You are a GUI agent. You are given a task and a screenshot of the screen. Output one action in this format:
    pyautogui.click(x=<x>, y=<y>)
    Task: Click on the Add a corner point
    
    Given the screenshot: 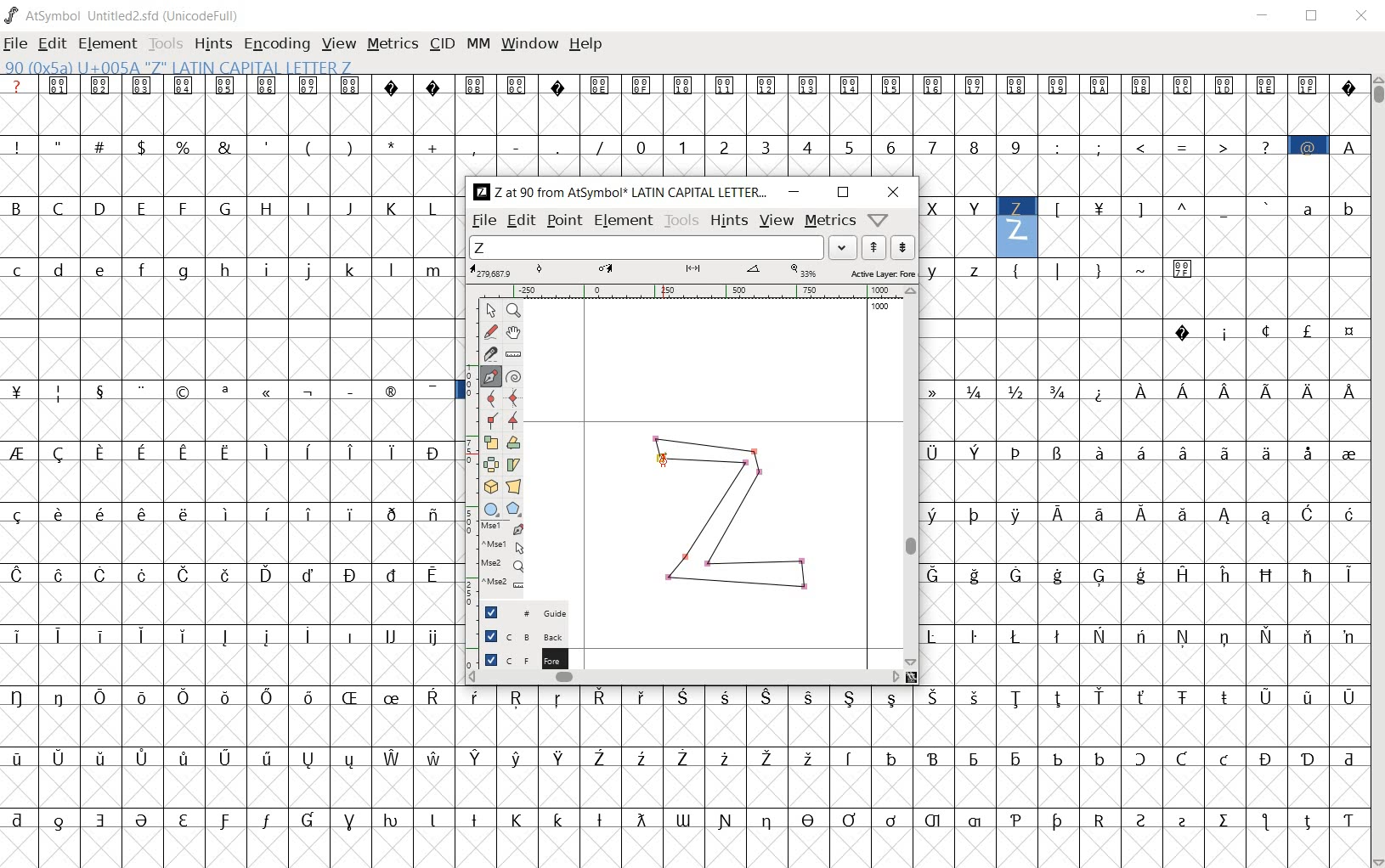 What is the action you would take?
    pyautogui.click(x=512, y=420)
    